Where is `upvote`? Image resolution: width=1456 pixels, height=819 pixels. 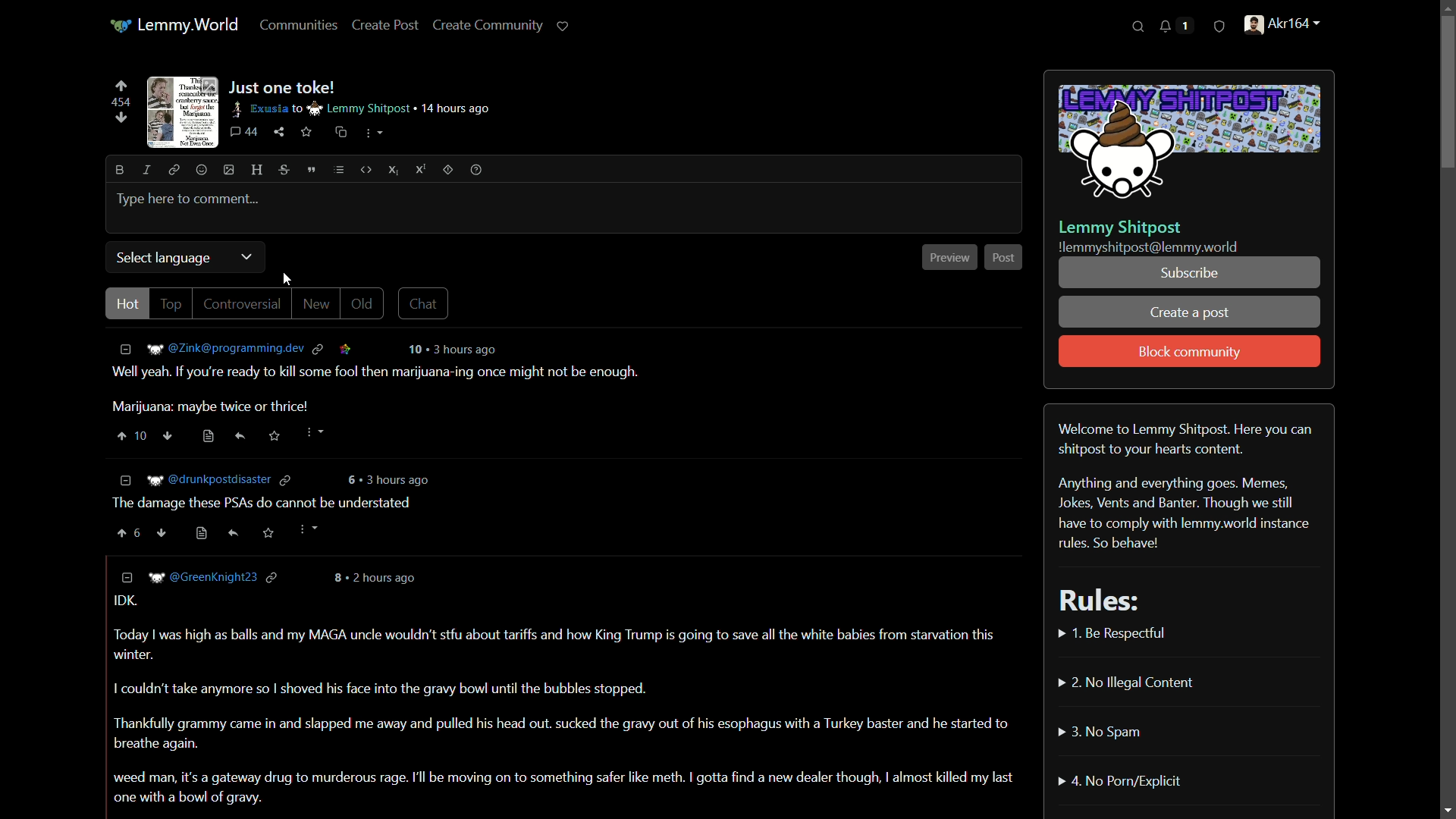
upvote is located at coordinates (121, 533).